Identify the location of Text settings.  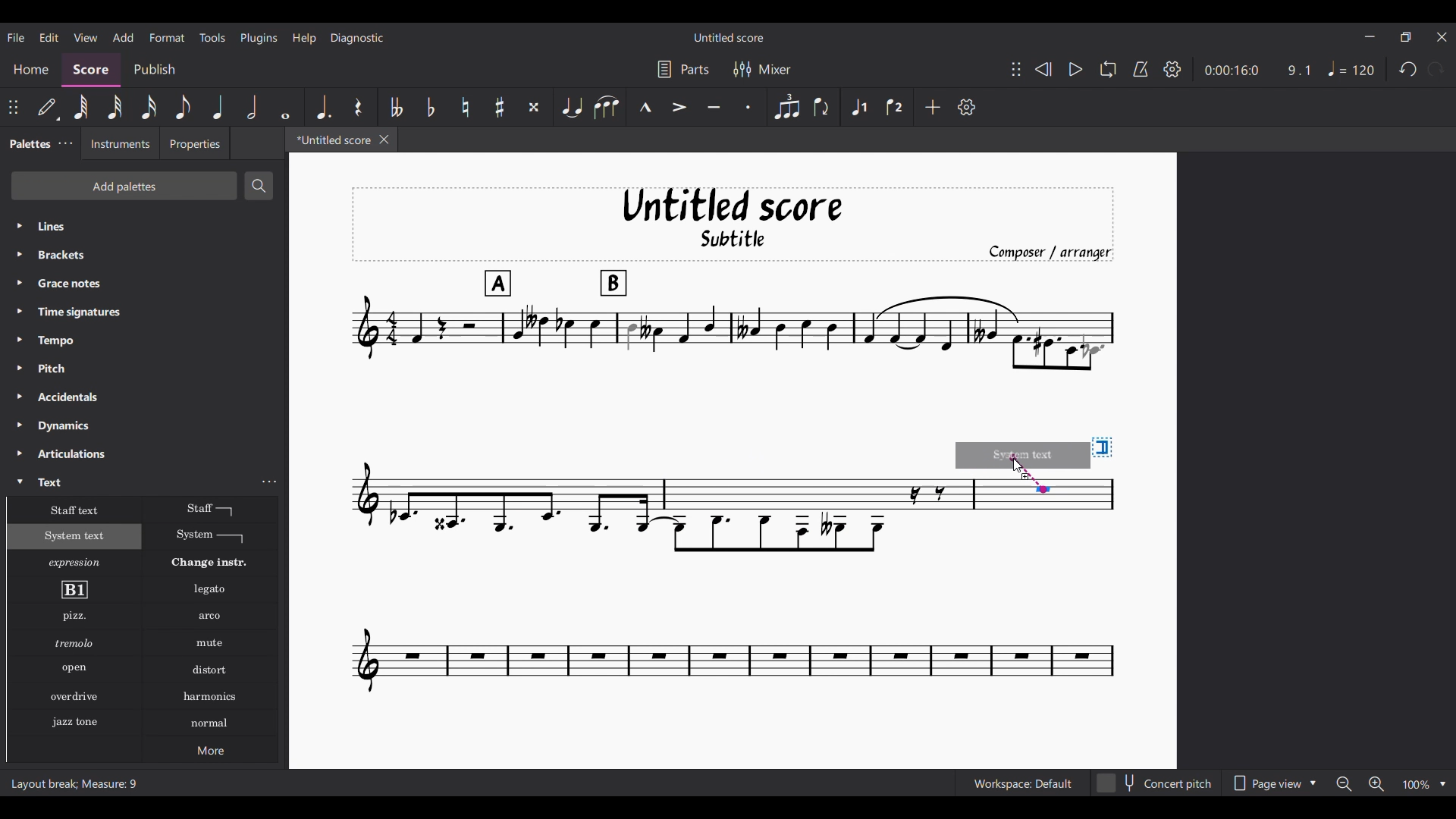
(269, 482).